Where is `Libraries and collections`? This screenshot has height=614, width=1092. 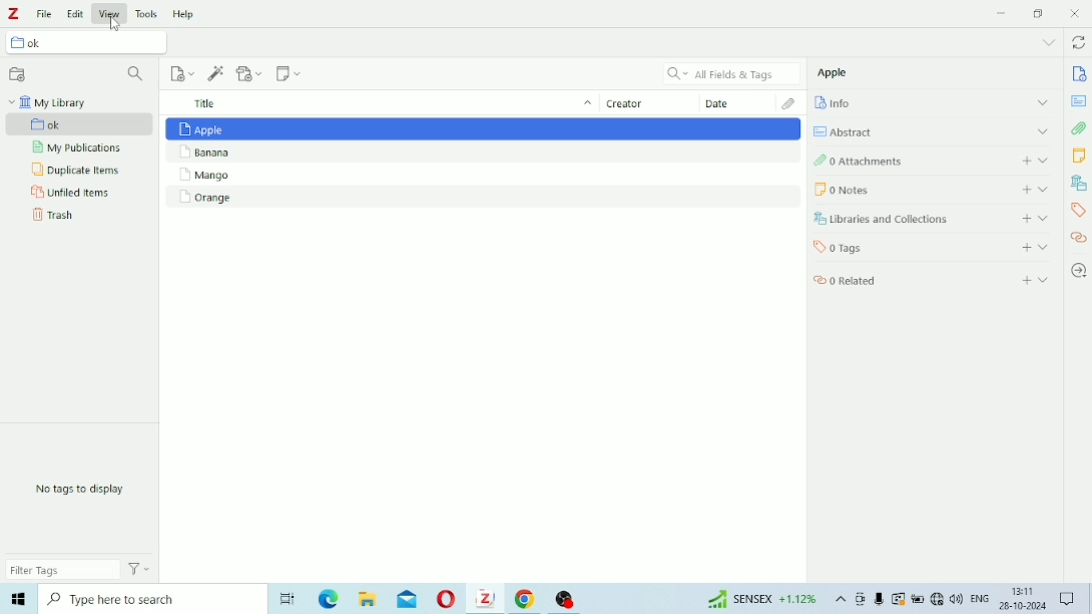 Libraries and collections is located at coordinates (892, 220).